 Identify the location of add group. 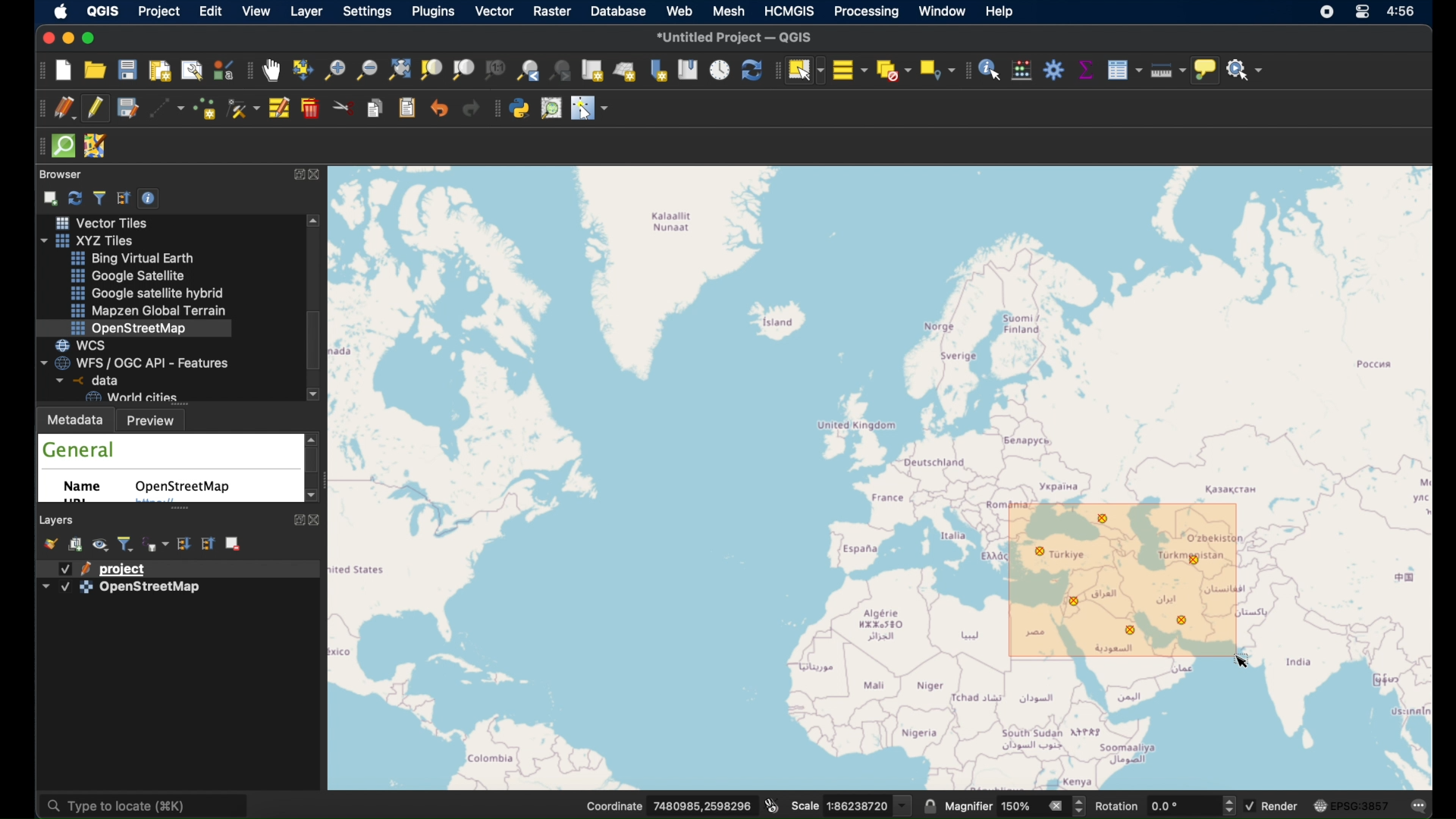
(77, 545).